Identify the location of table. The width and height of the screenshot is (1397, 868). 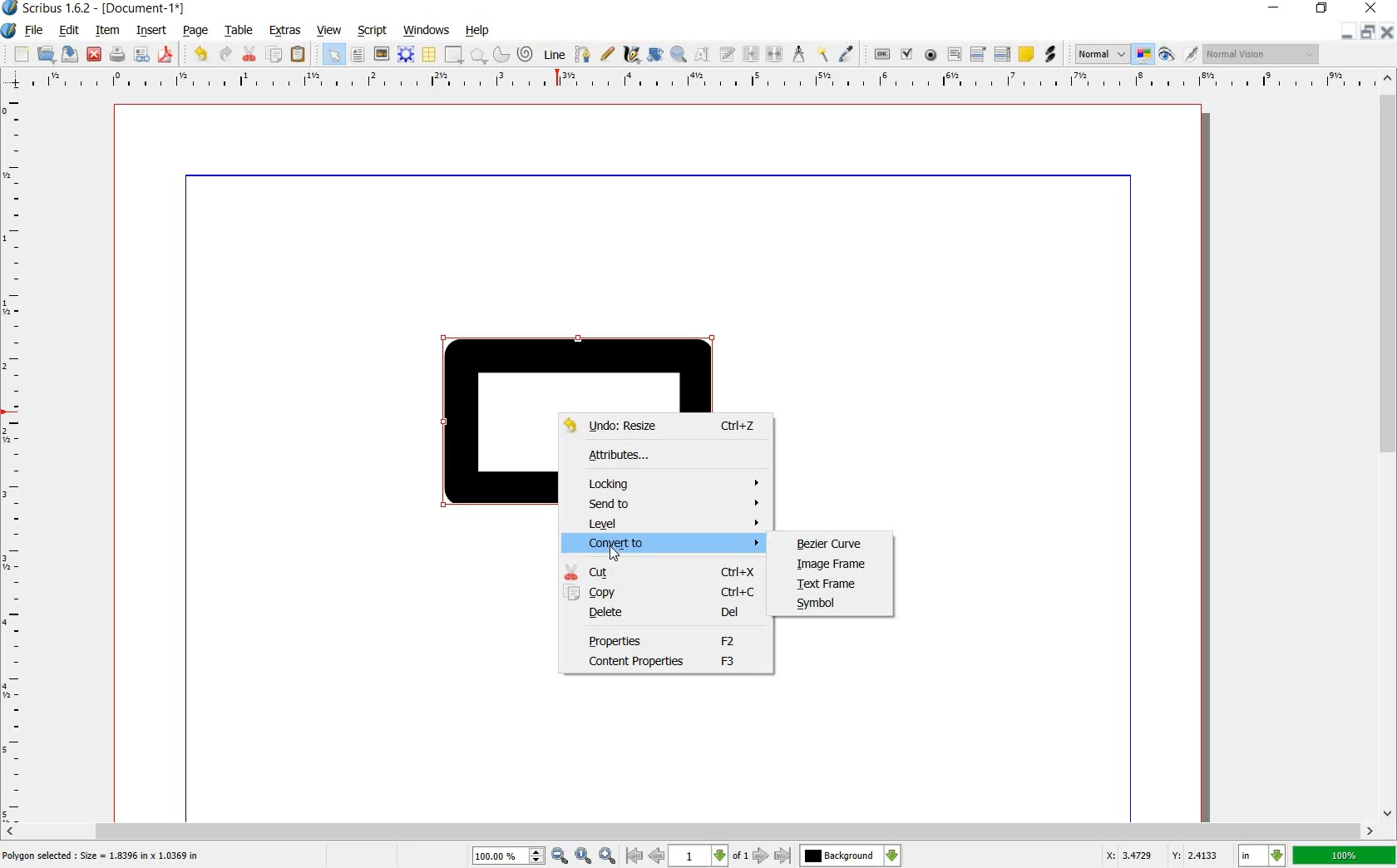
(427, 54).